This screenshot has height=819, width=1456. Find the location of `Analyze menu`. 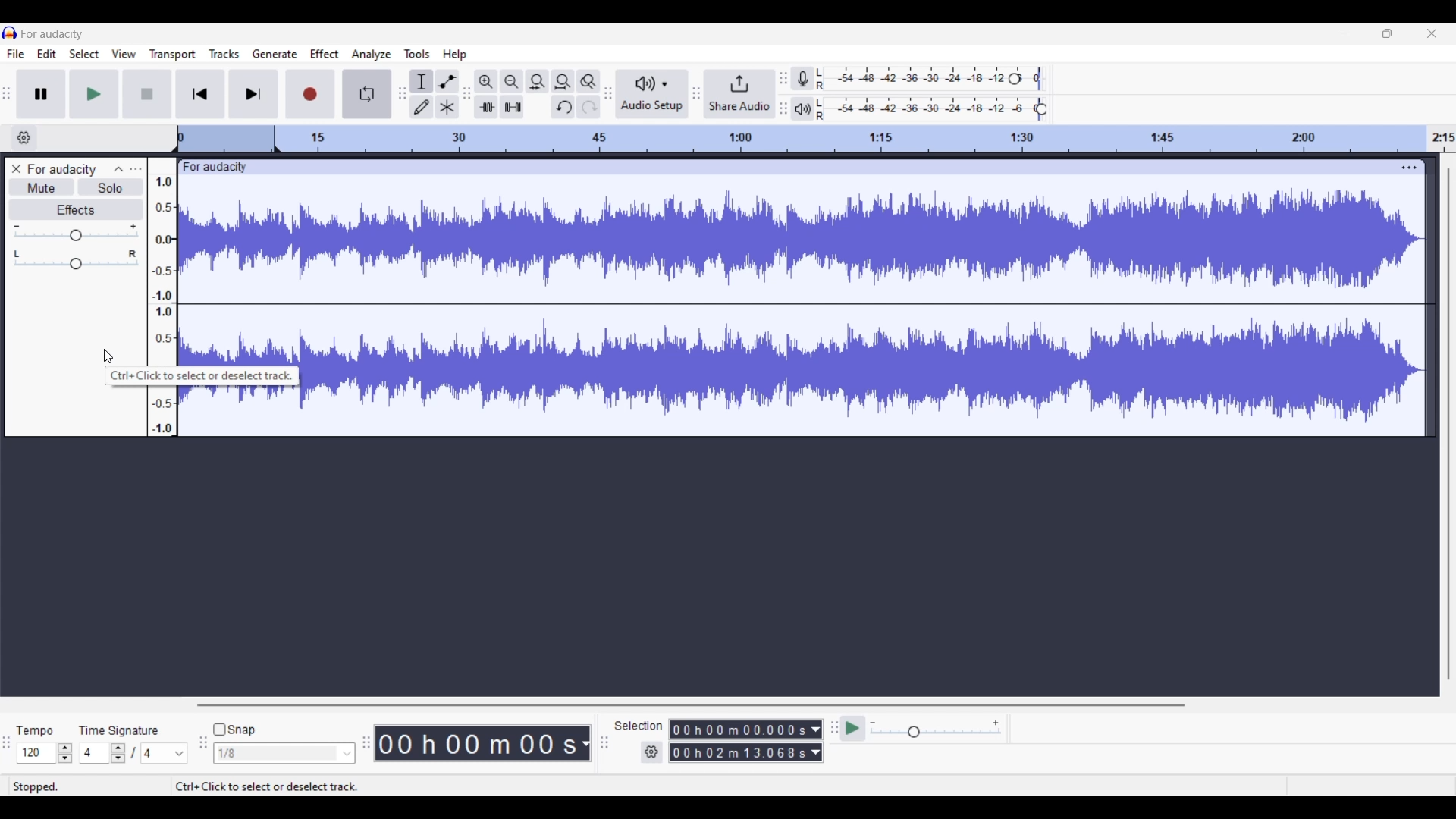

Analyze menu is located at coordinates (371, 55).